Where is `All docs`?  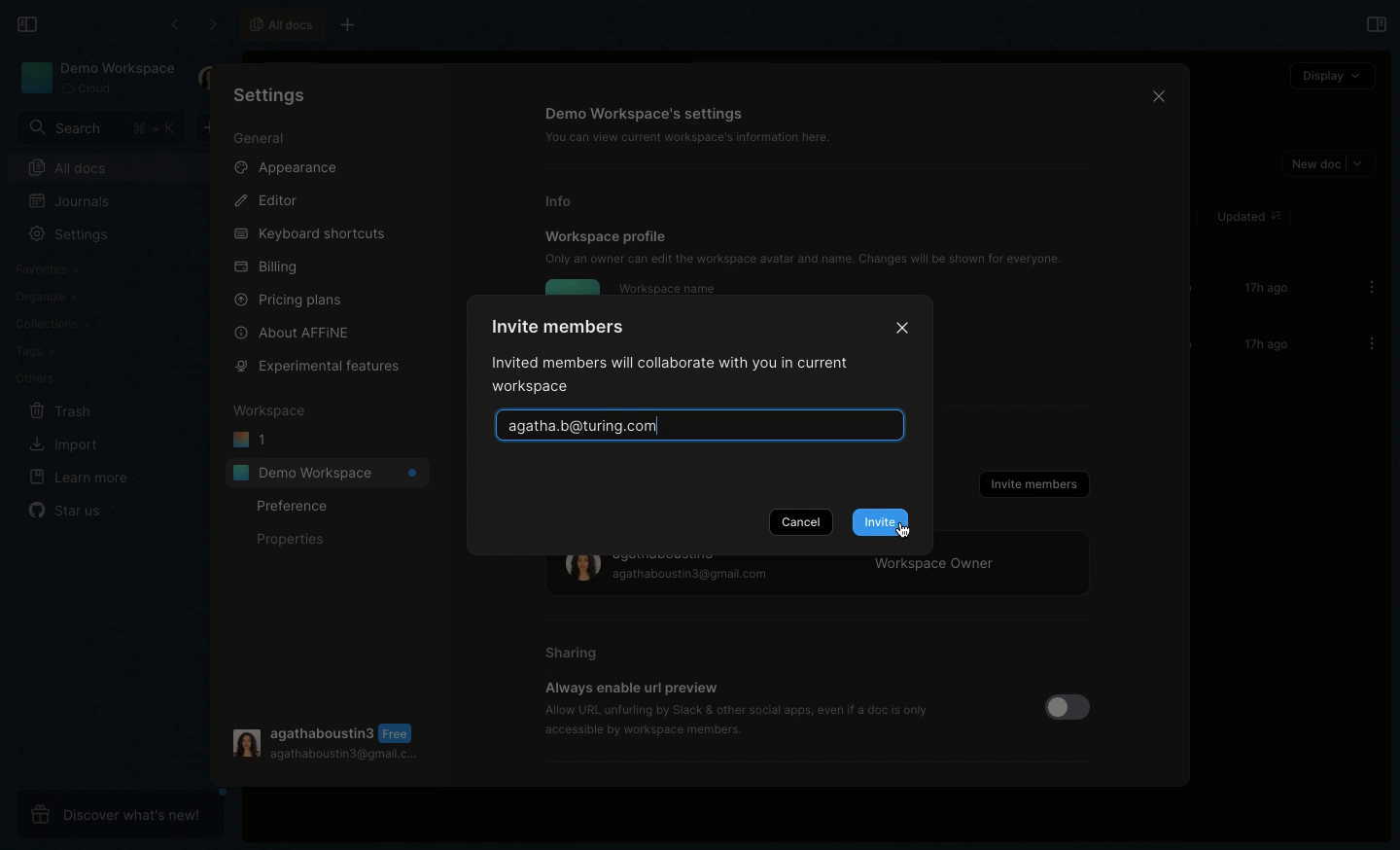
All docs is located at coordinates (115, 167).